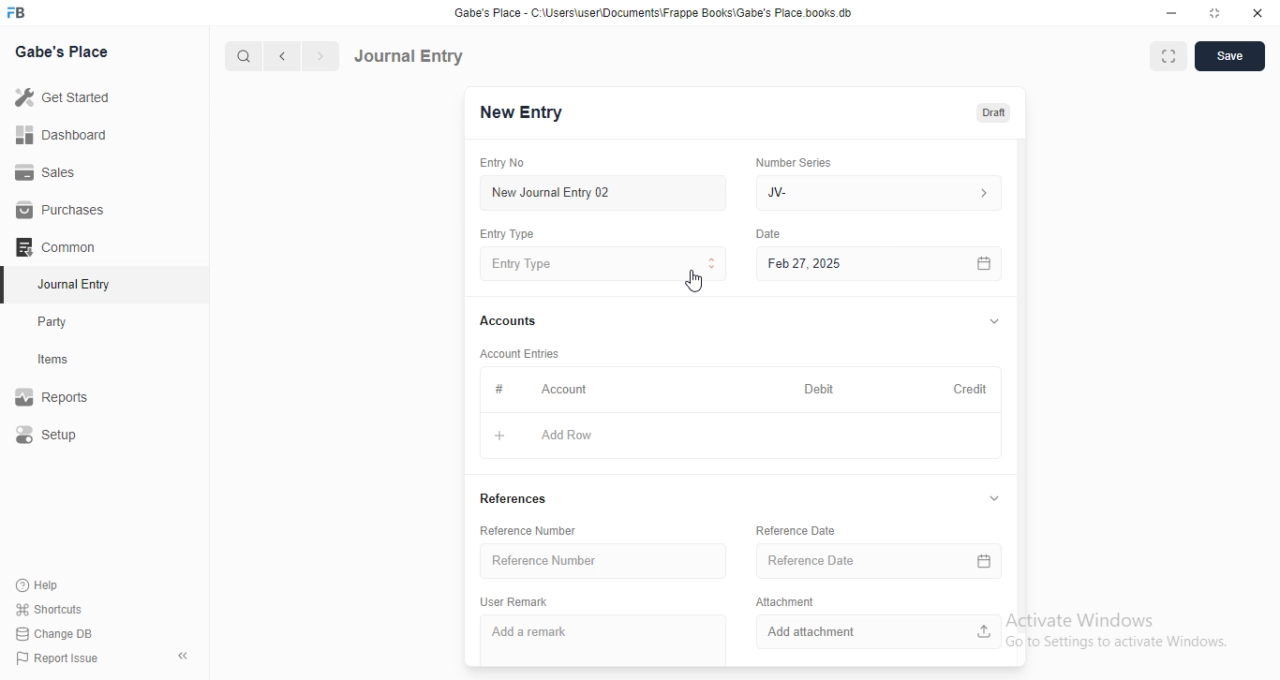 Image resolution: width=1280 pixels, height=680 pixels. I want to click on ‘Add a remark, so click(604, 636).